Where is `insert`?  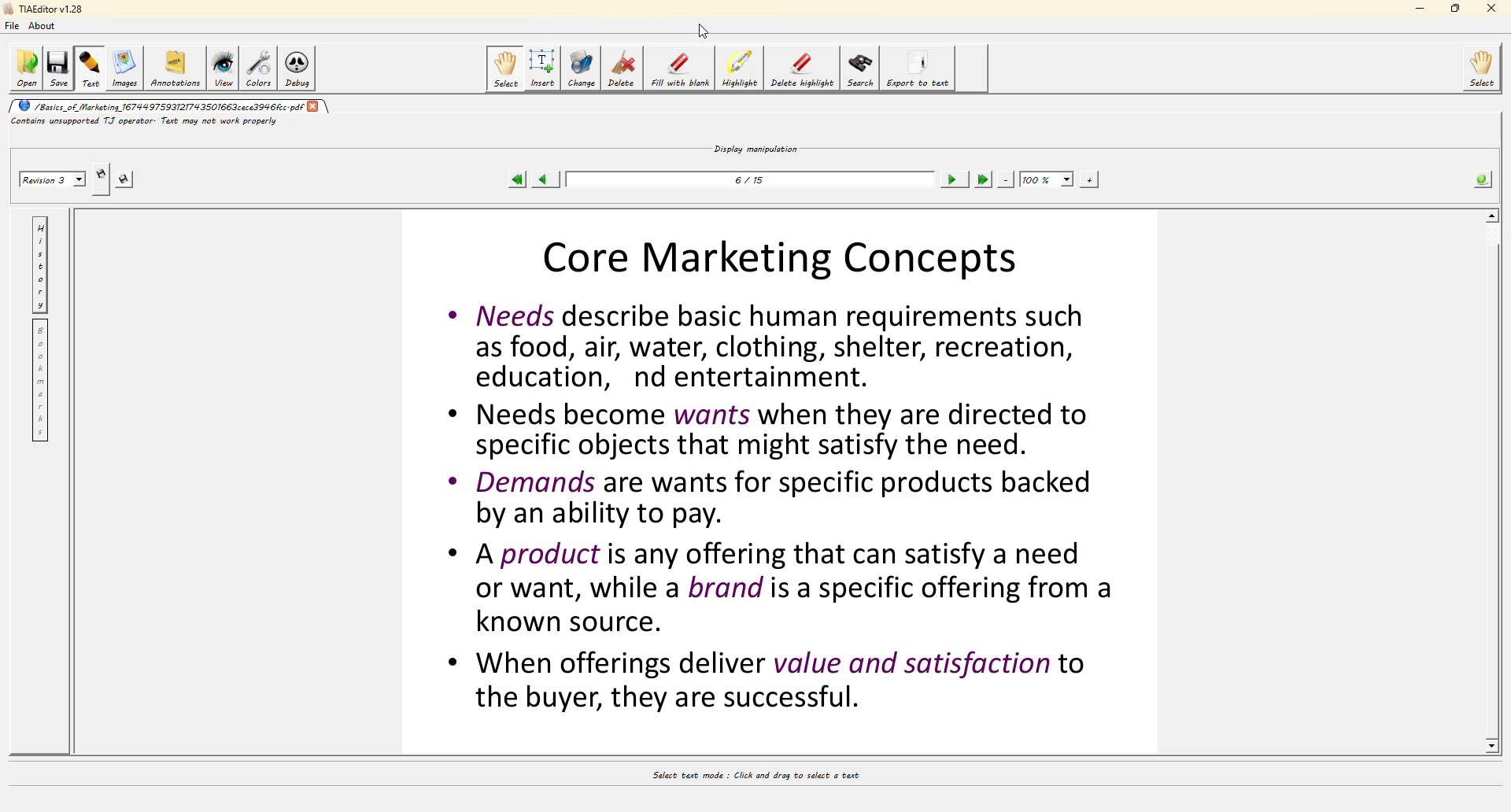
insert is located at coordinates (543, 68).